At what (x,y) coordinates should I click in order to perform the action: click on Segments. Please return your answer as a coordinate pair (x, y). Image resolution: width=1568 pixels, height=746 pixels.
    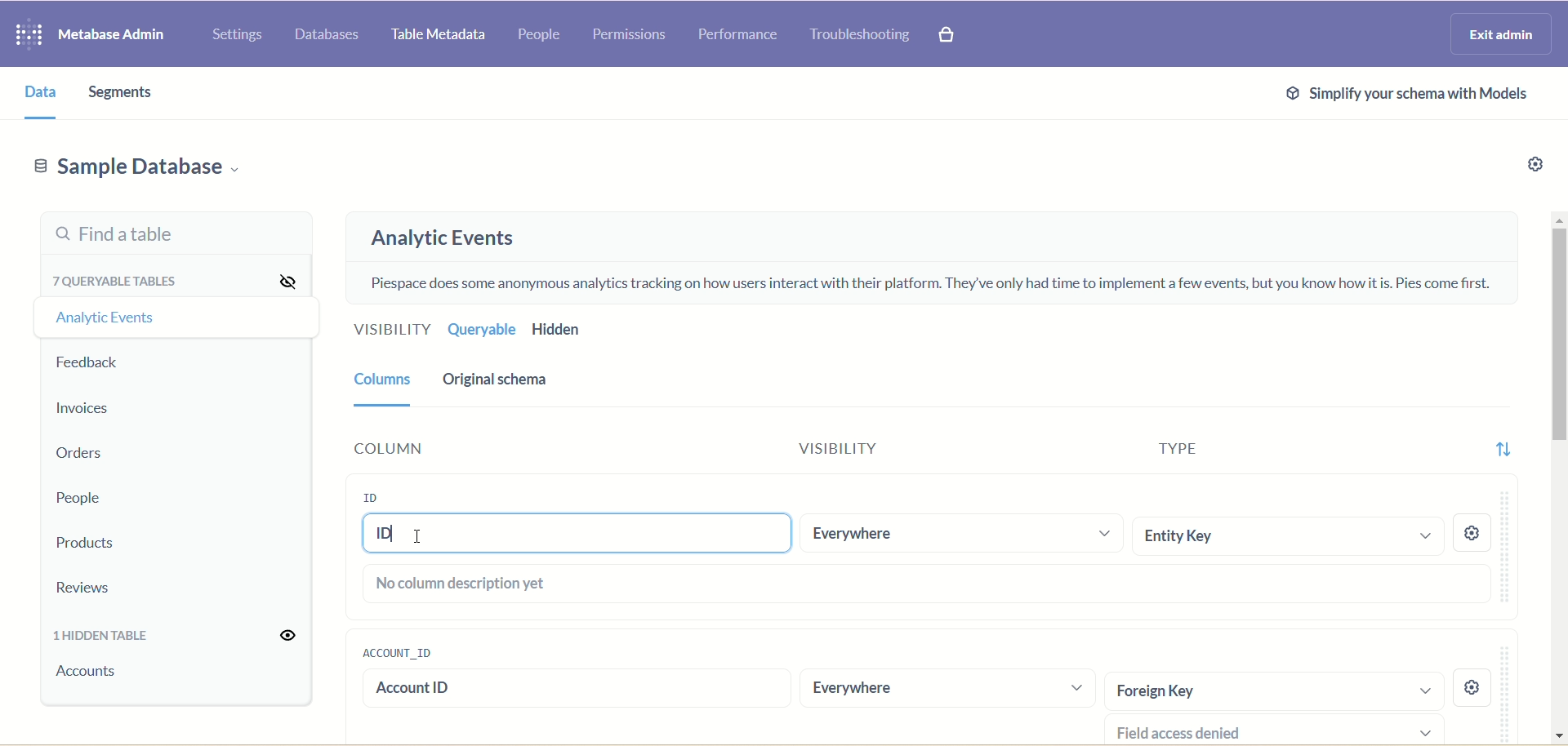
    Looking at the image, I should click on (123, 93).